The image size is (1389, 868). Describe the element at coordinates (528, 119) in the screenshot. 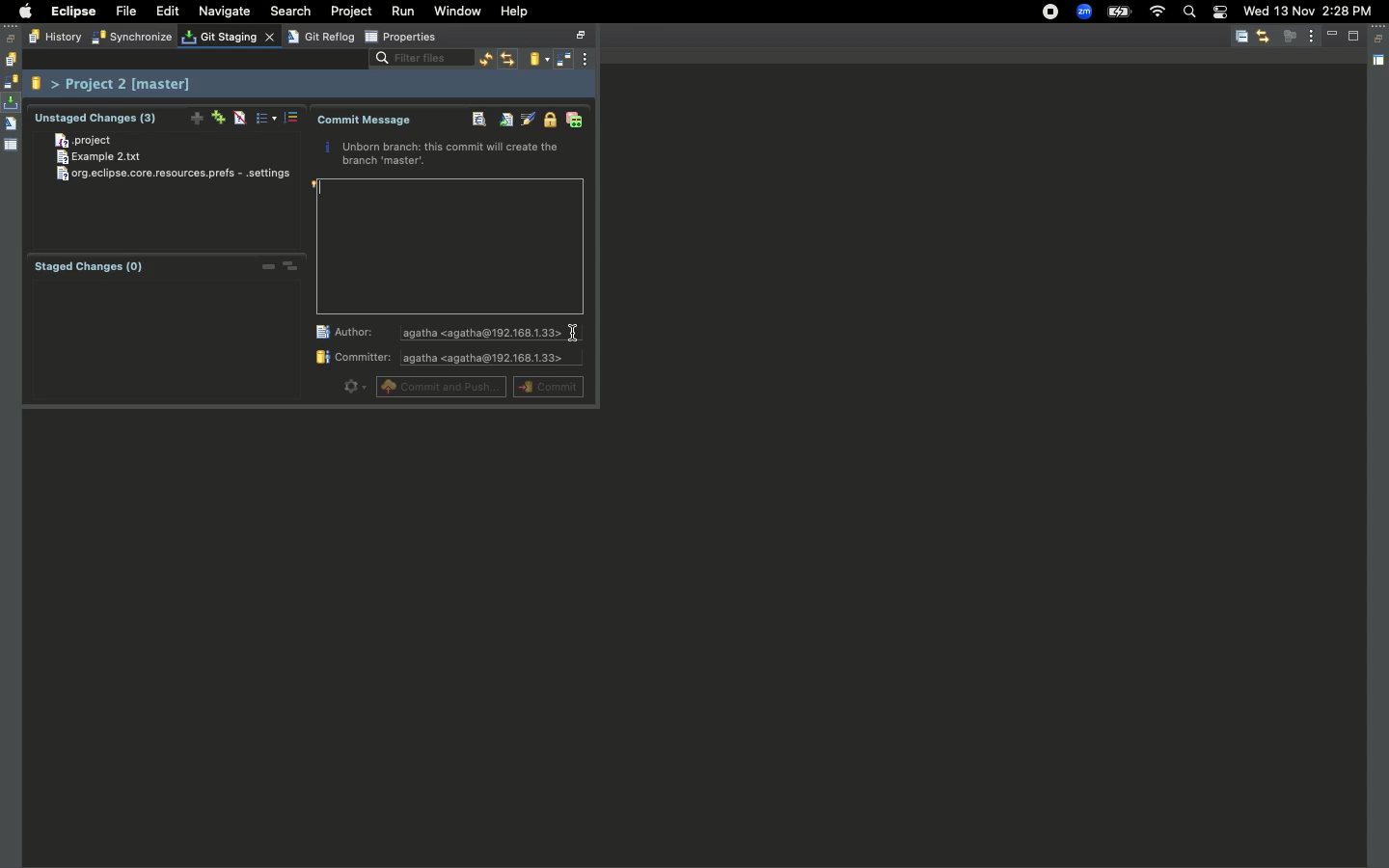

I see `Add signed off by` at that location.